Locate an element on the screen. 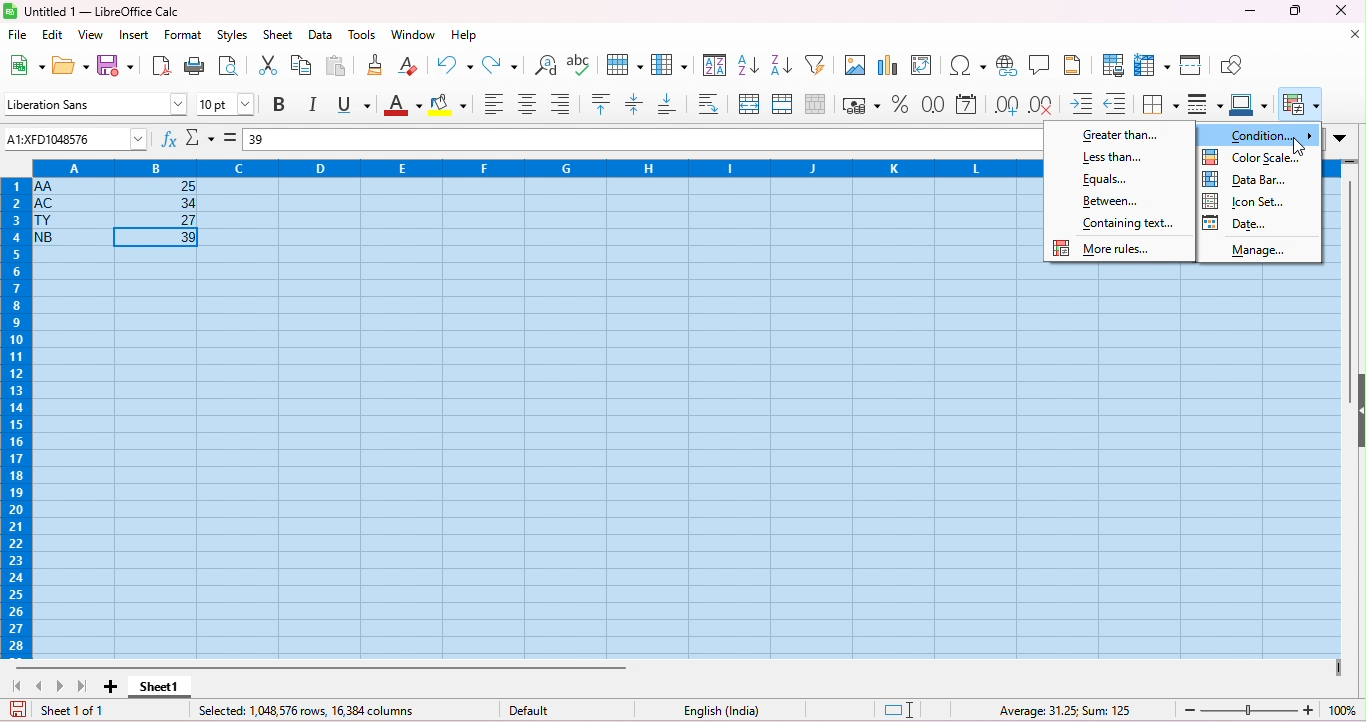 The height and width of the screenshot is (722, 1366). manage is located at coordinates (1262, 249).